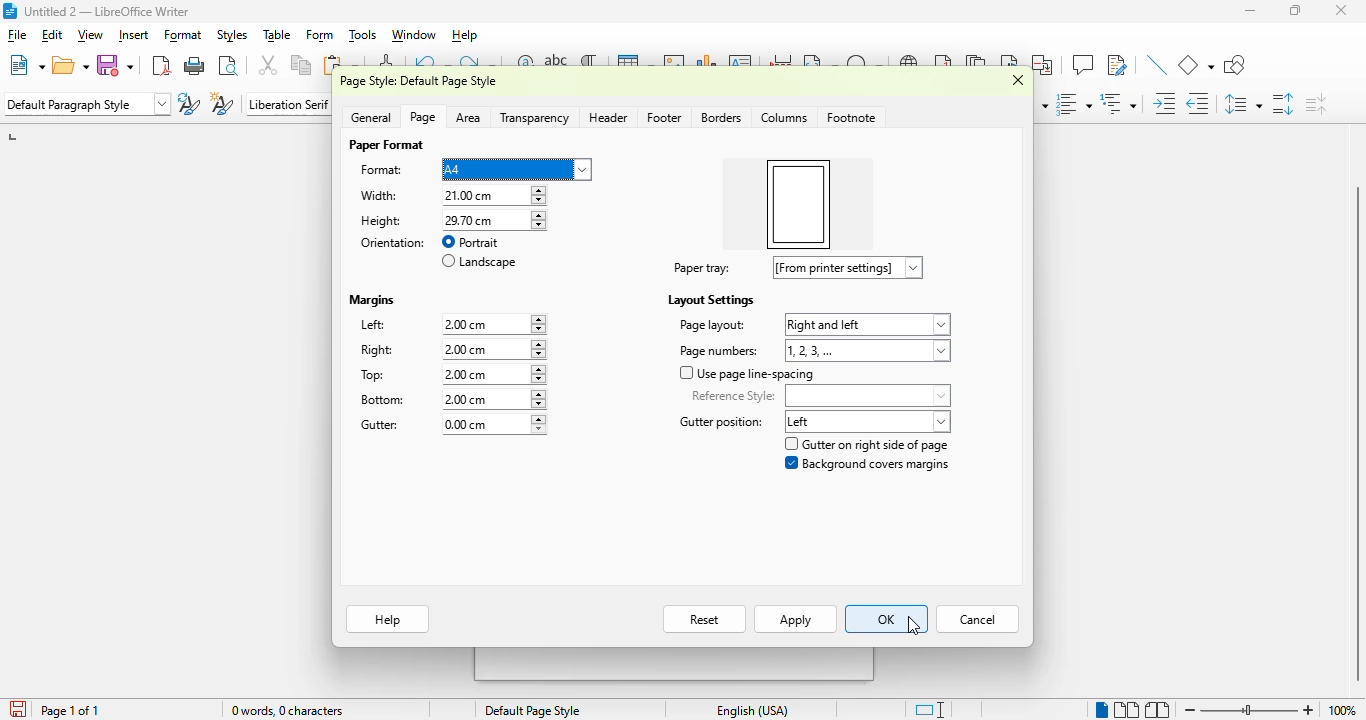 The width and height of the screenshot is (1366, 720). Describe the element at coordinates (1191, 710) in the screenshot. I see `zoom out` at that location.